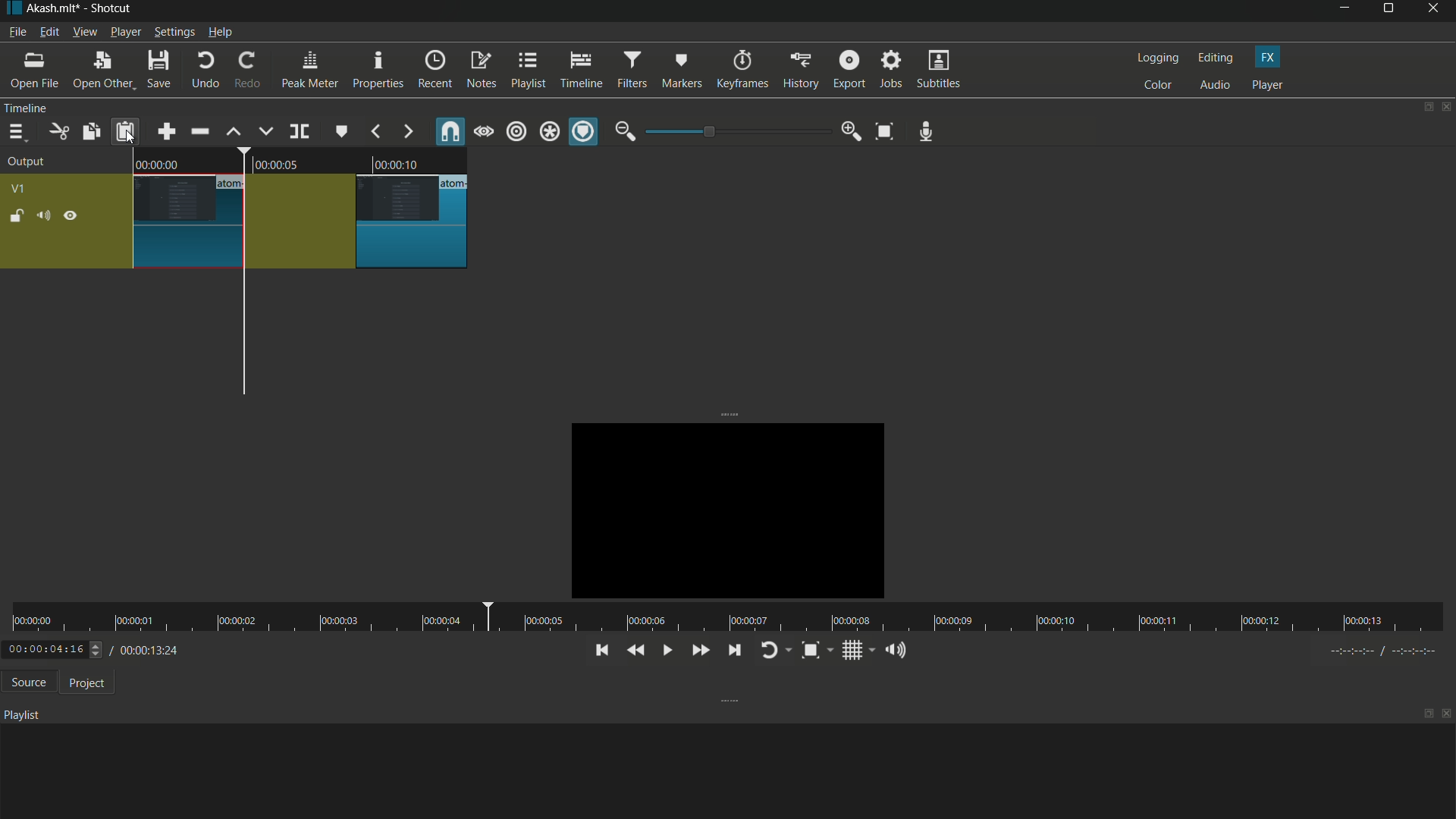 The width and height of the screenshot is (1456, 819). Describe the element at coordinates (485, 131) in the screenshot. I see `scrub while draging` at that location.